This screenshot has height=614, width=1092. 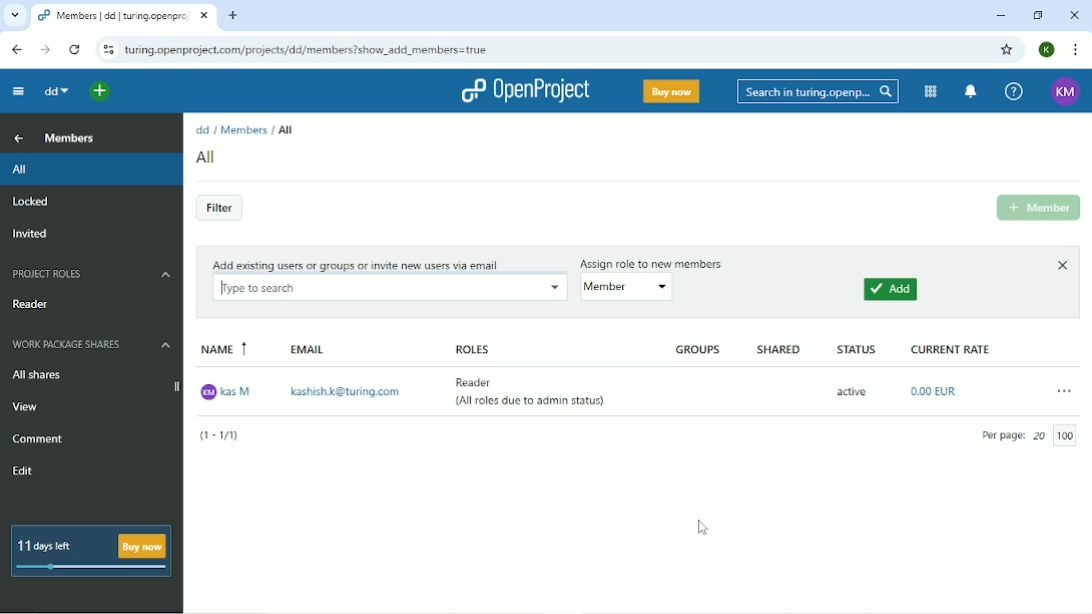 I want to click on Back, so click(x=14, y=48).